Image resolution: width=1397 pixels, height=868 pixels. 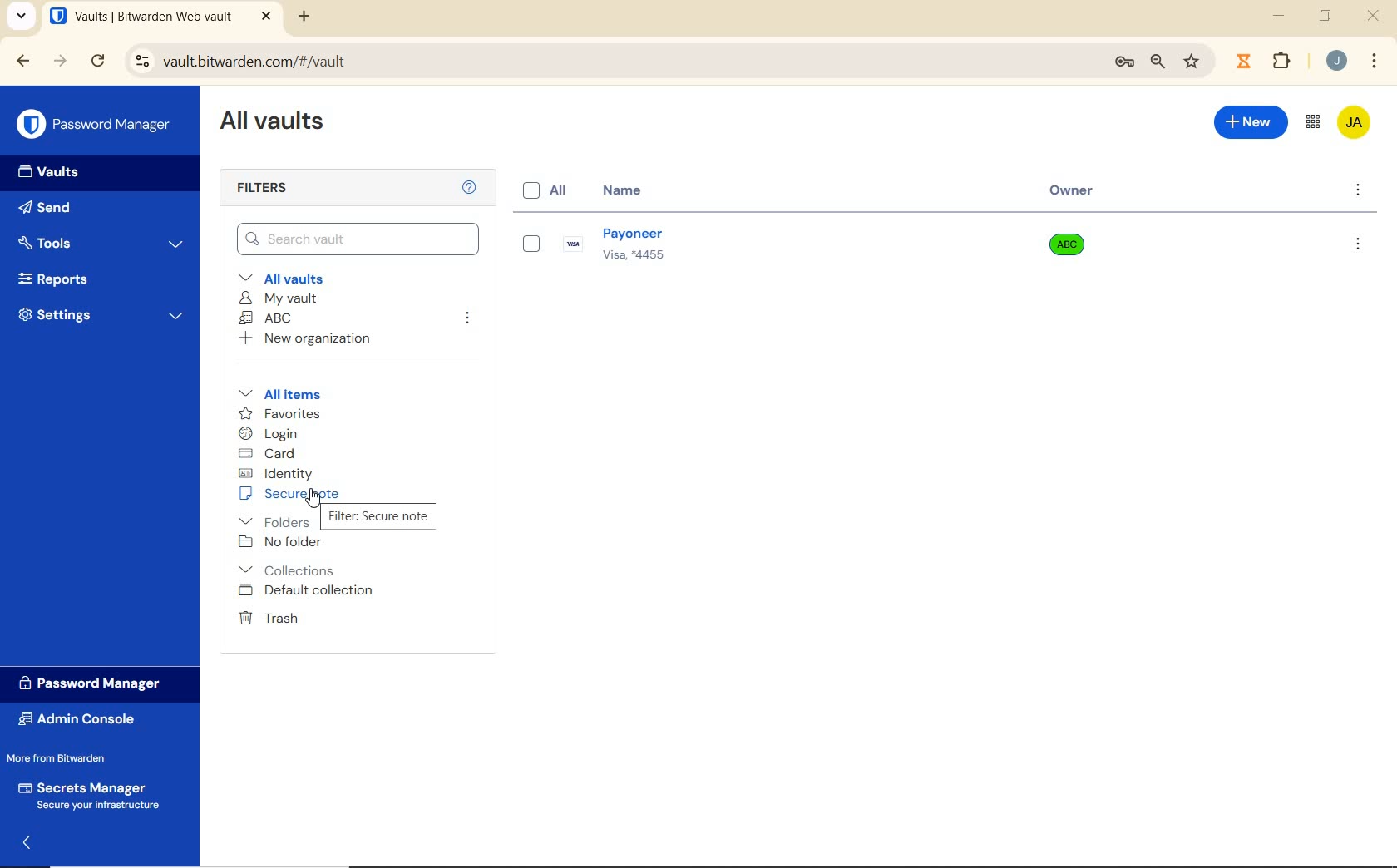 What do you see at coordinates (1355, 124) in the screenshot?
I see `Bitwarden Account` at bounding box center [1355, 124].